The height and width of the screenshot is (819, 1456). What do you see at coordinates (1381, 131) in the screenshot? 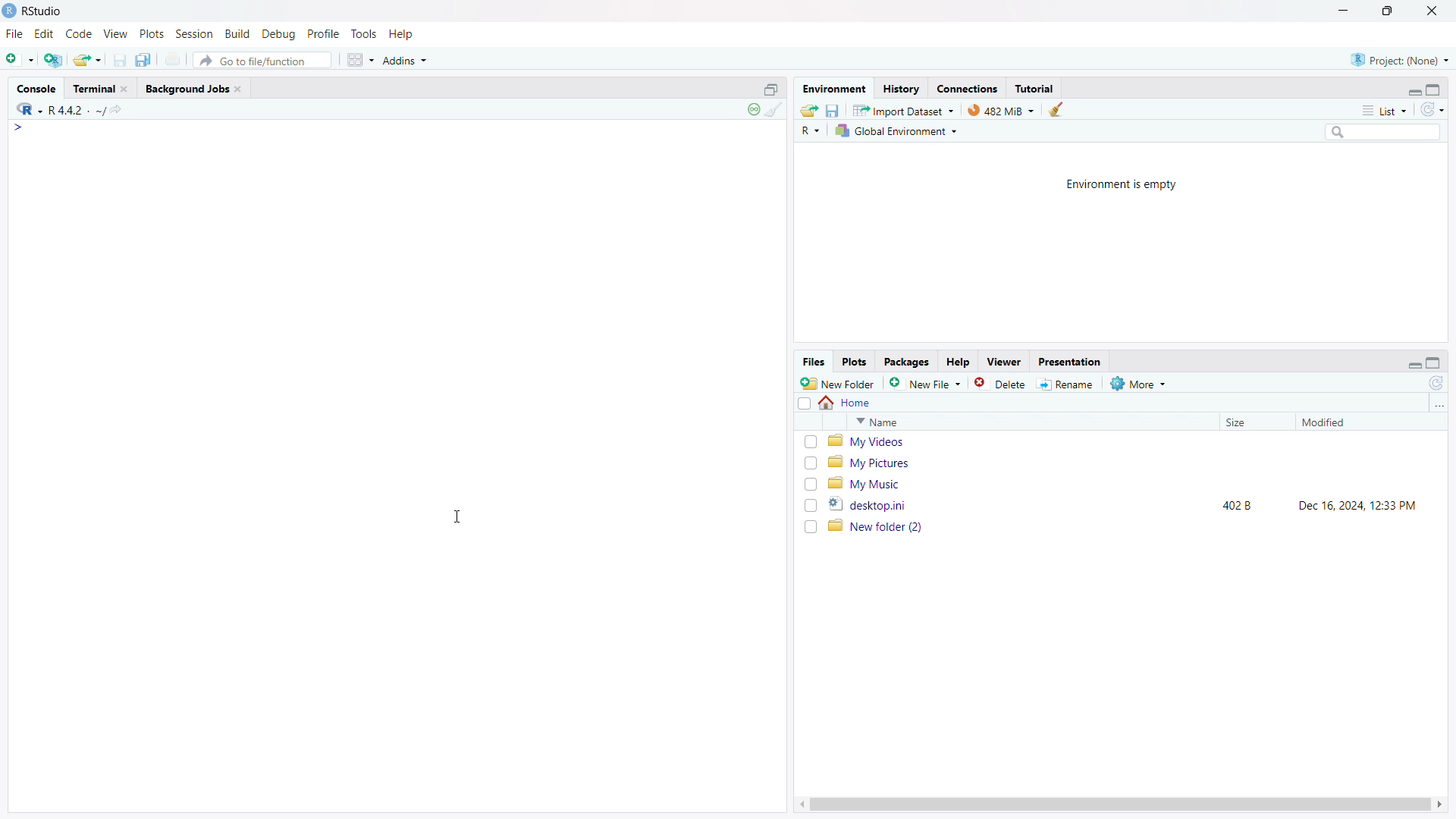
I see `search` at bounding box center [1381, 131].